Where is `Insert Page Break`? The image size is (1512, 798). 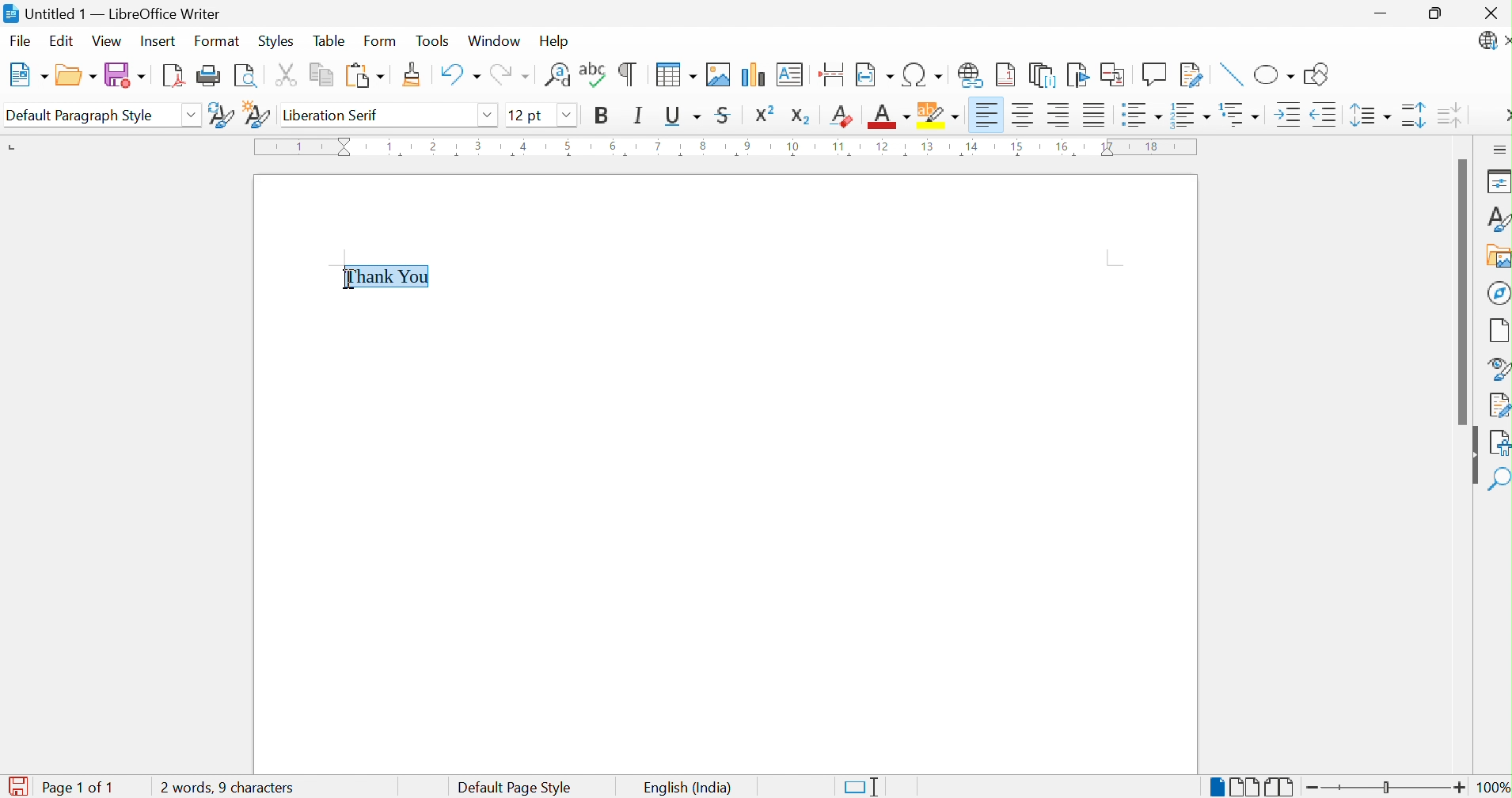
Insert Page Break is located at coordinates (831, 74).